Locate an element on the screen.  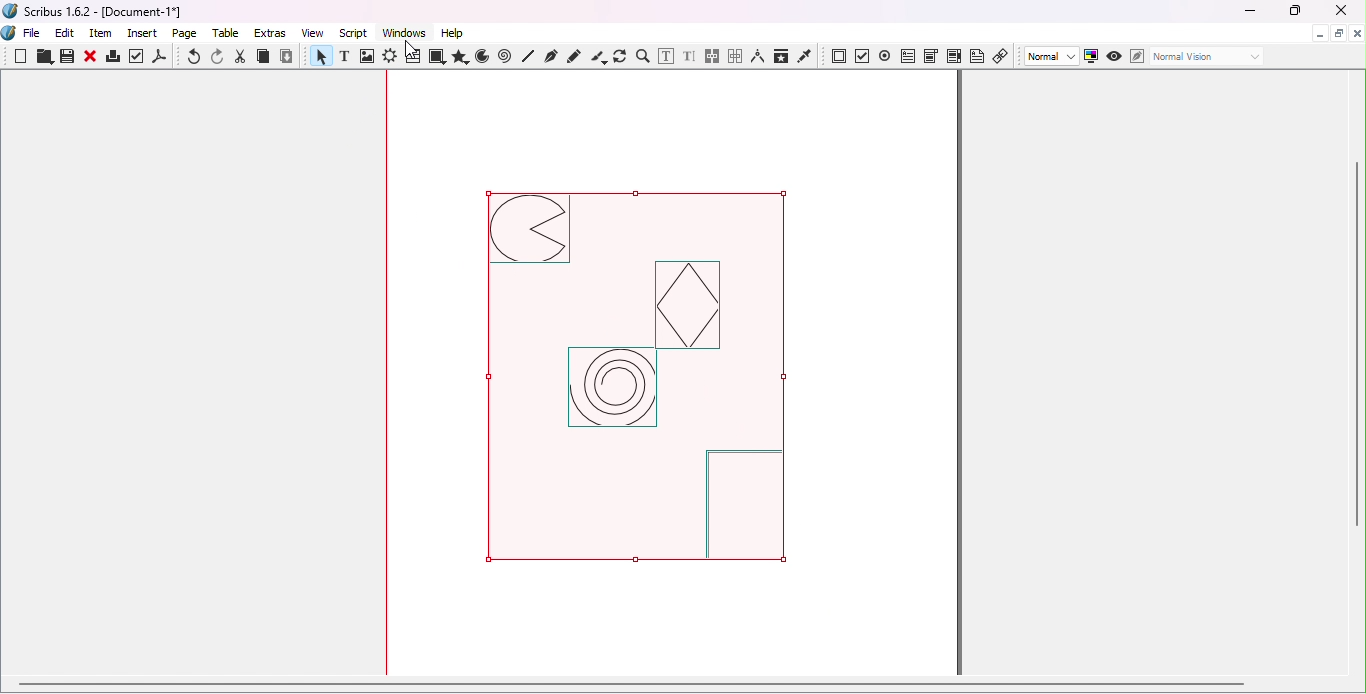
Selected image is located at coordinates (652, 385).